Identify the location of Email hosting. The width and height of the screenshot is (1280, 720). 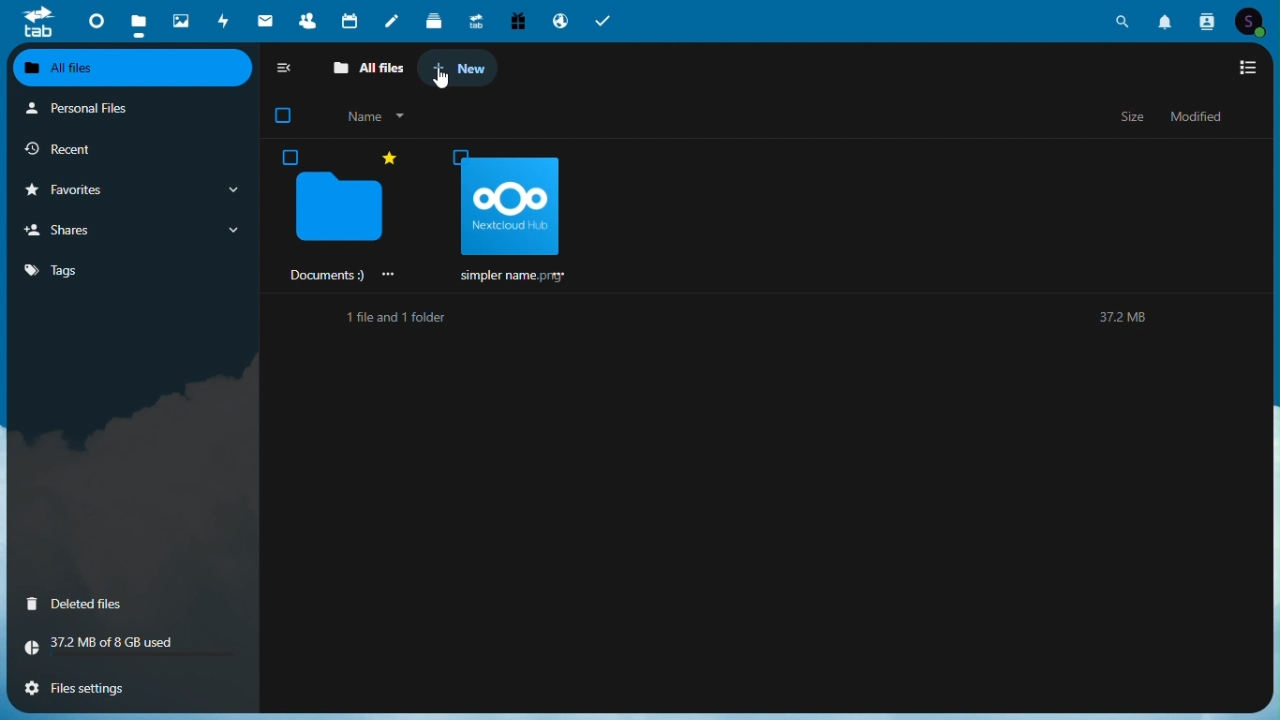
(561, 19).